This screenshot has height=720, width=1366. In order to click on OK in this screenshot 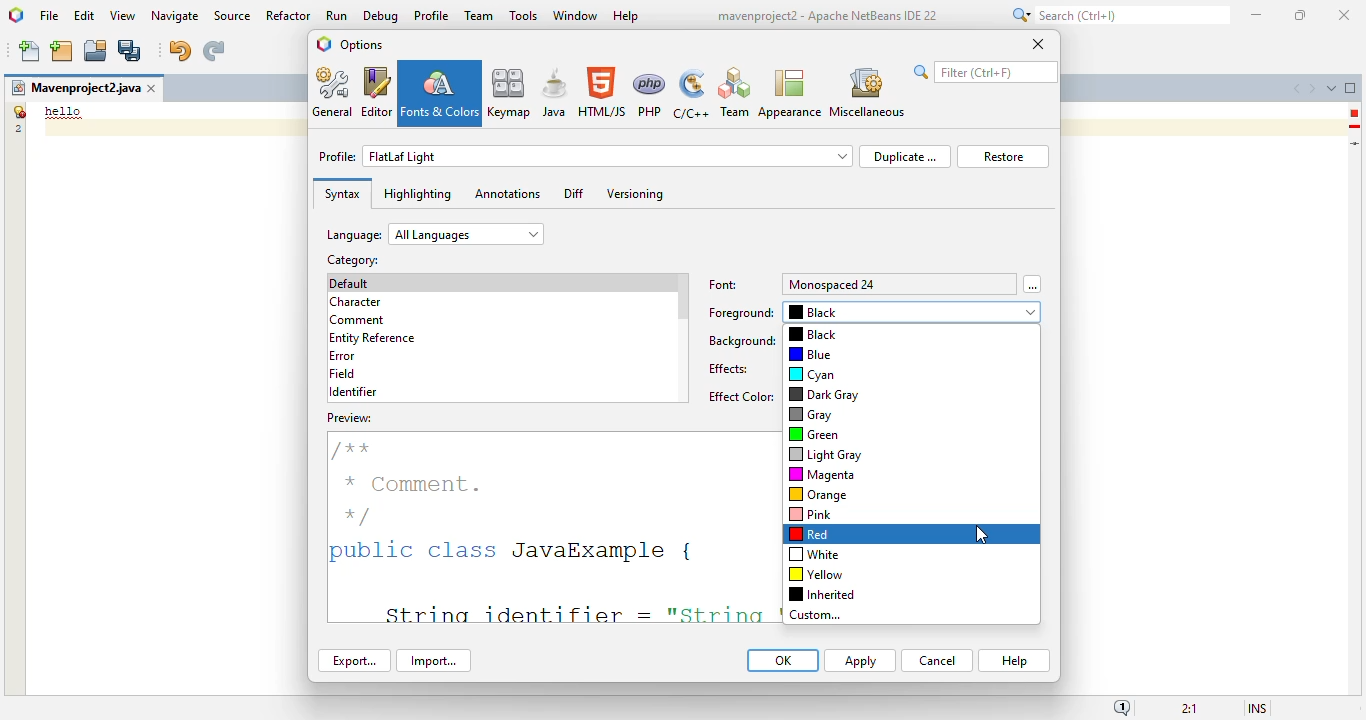, I will do `click(783, 660)`.